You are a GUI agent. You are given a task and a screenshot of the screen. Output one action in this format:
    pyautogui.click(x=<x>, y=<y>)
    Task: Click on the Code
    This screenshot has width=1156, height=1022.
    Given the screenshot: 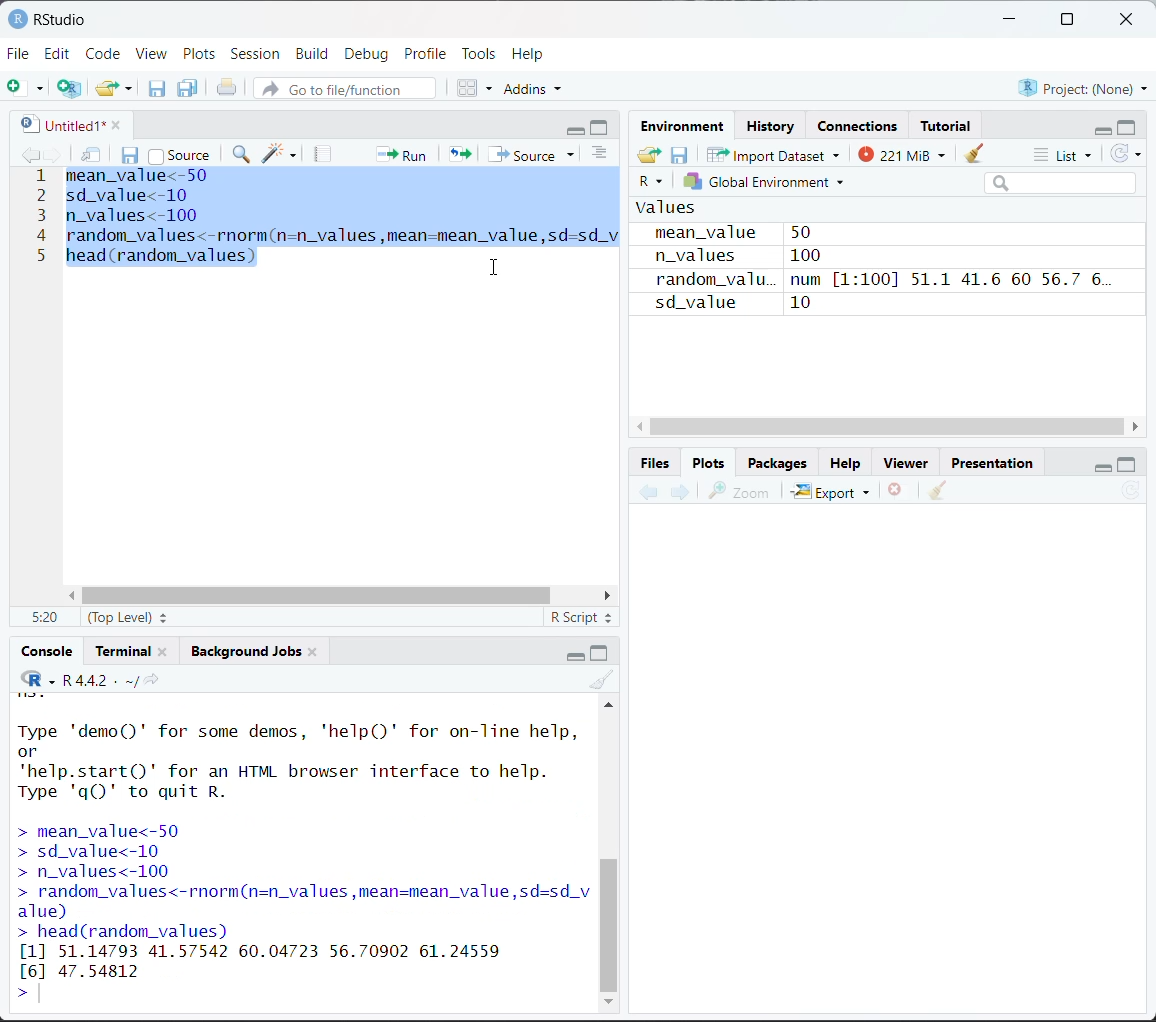 What is the action you would take?
    pyautogui.click(x=105, y=52)
    